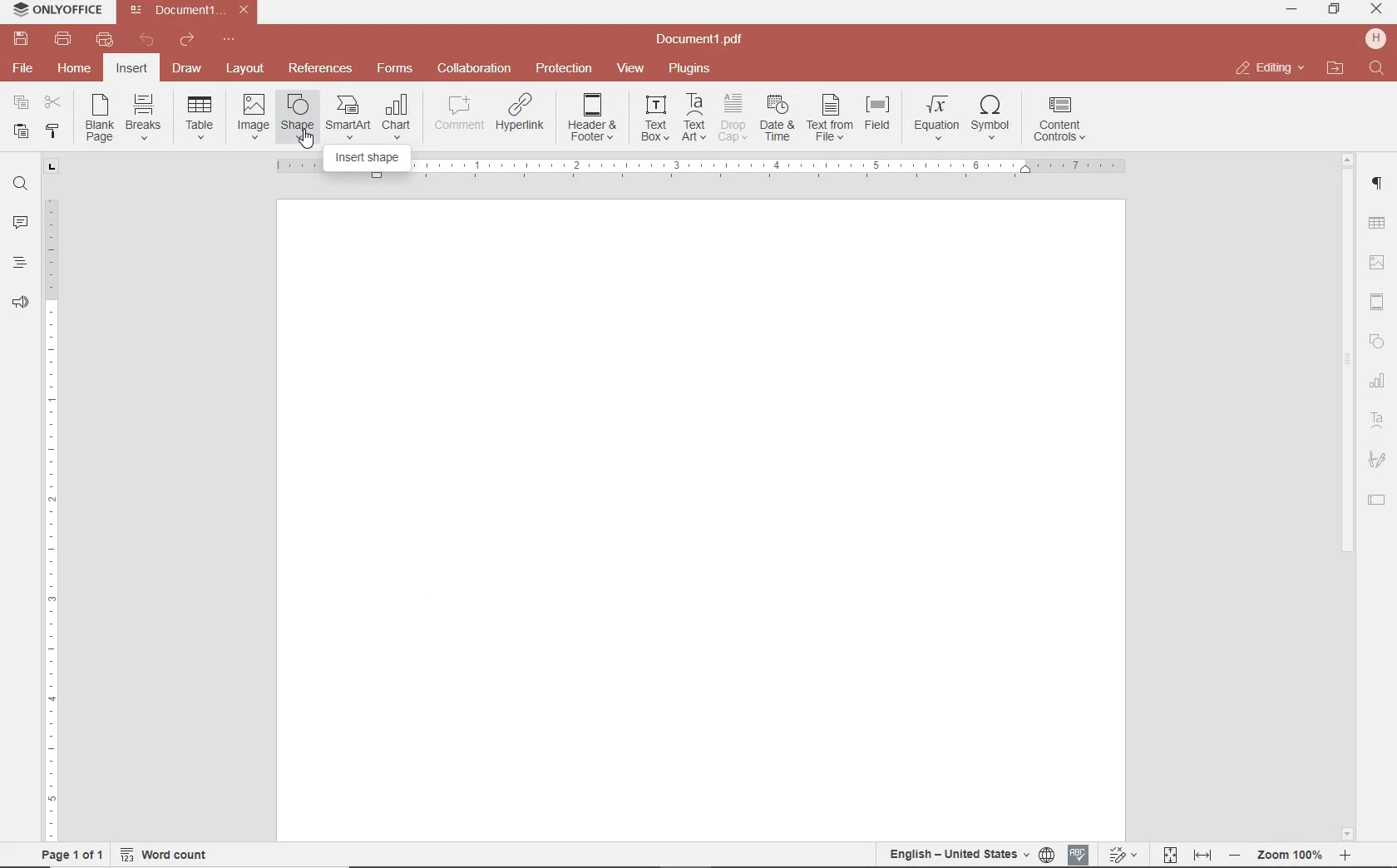 The width and height of the screenshot is (1397, 868). What do you see at coordinates (63, 39) in the screenshot?
I see `print file` at bounding box center [63, 39].